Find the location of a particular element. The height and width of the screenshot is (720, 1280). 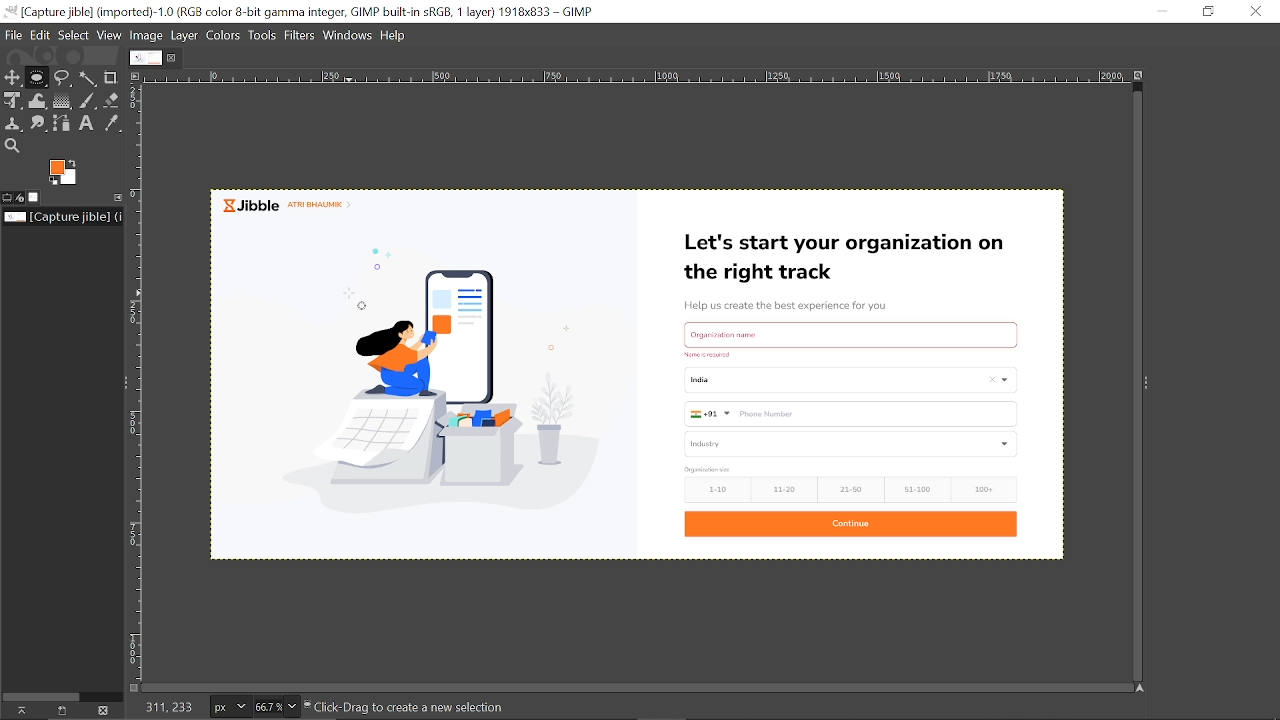

cursor is located at coordinates (364, 312).